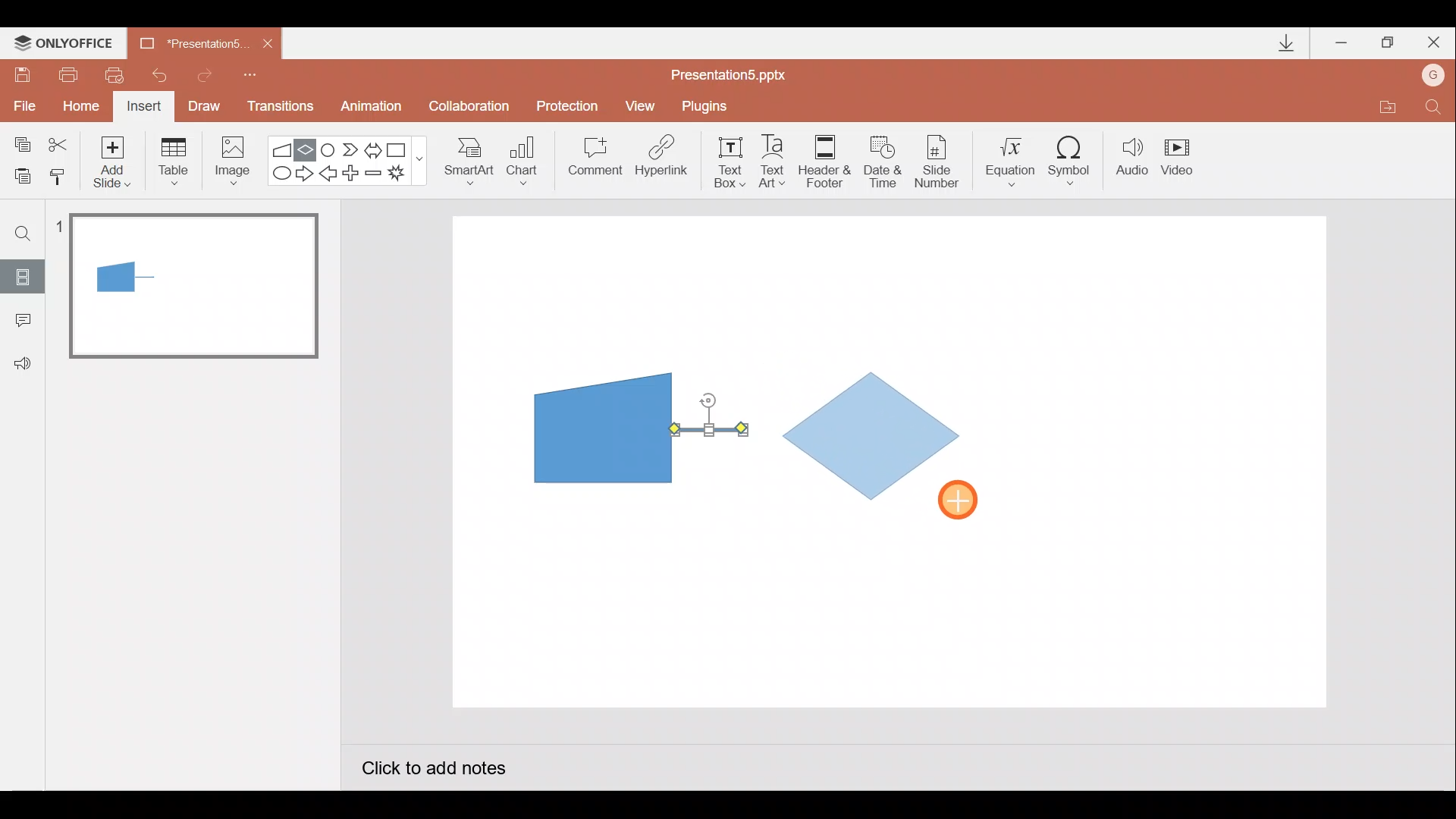 This screenshot has width=1456, height=819. What do you see at coordinates (406, 175) in the screenshot?
I see `Explosion 1` at bounding box center [406, 175].